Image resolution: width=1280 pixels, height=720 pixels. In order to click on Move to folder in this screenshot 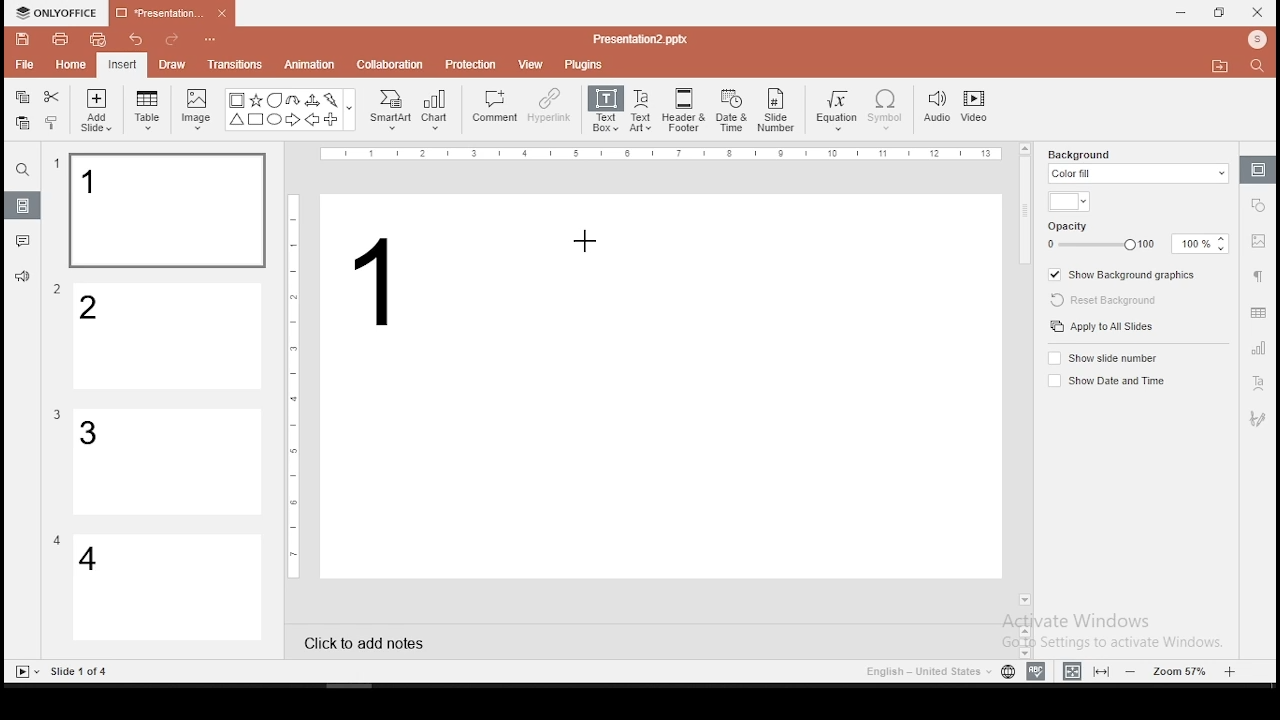, I will do `click(1223, 68)`.